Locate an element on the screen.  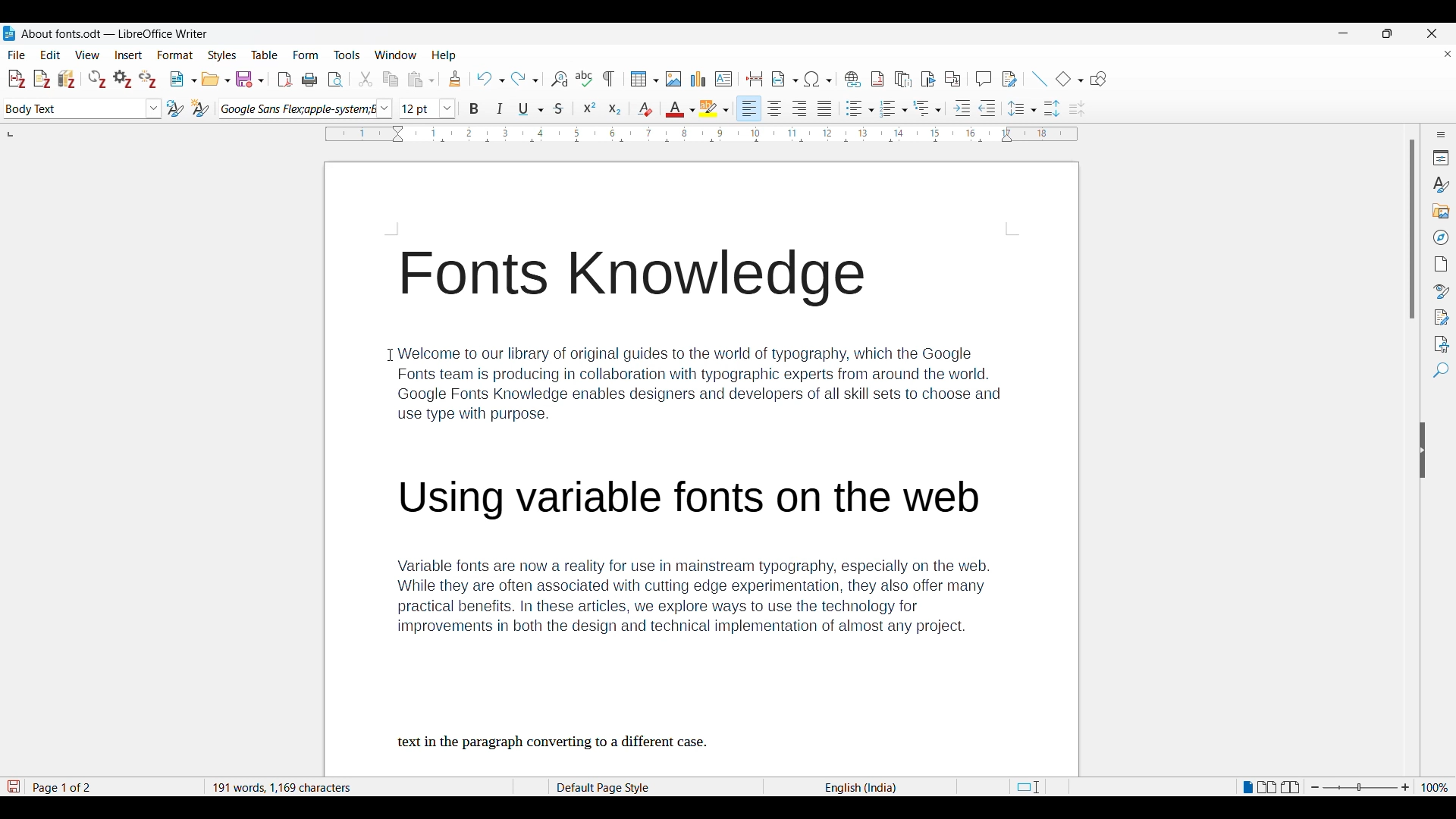
Insert menu is located at coordinates (128, 55).